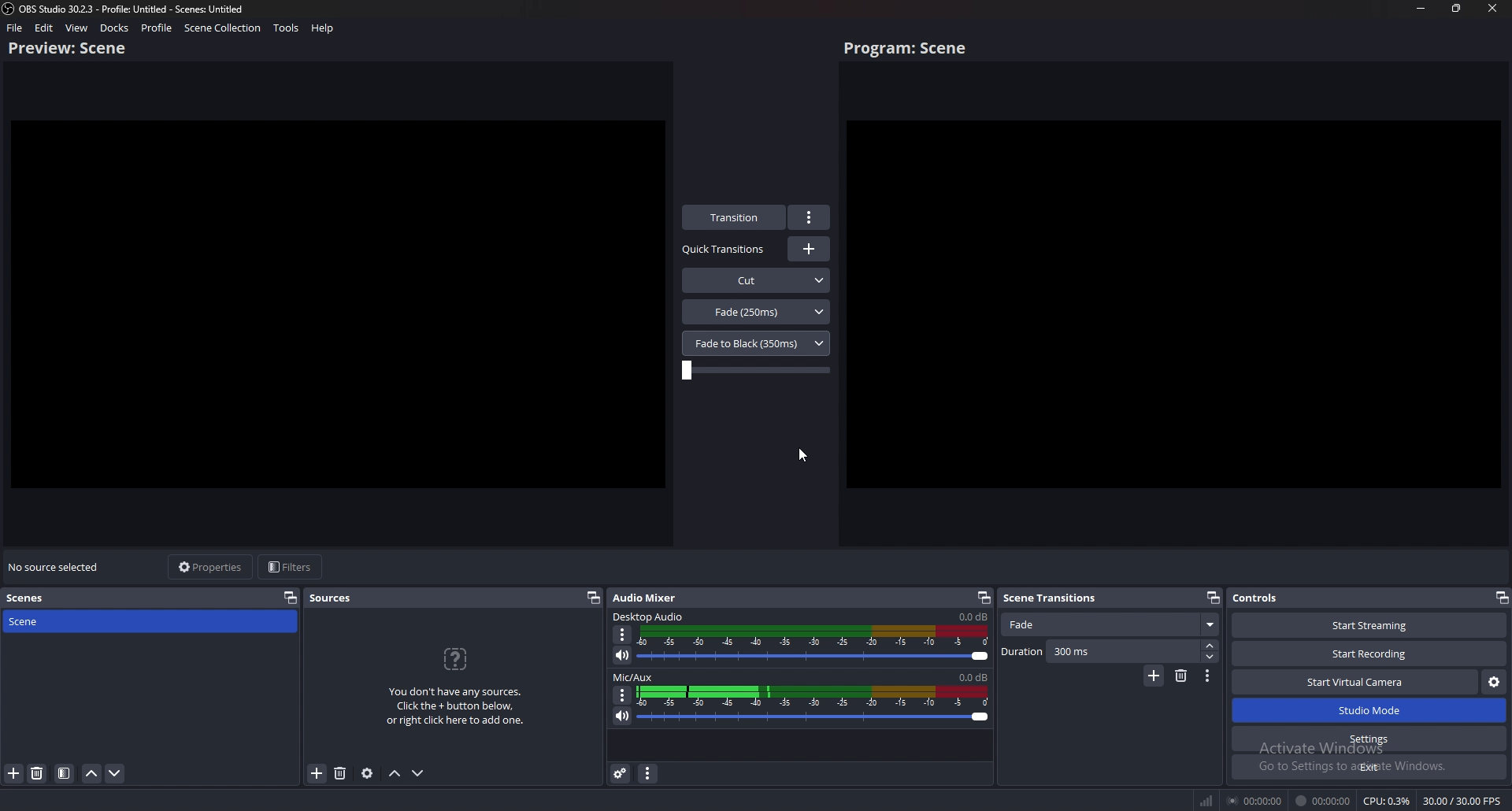 This screenshot has height=811, width=1512. What do you see at coordinates (593, 598) in the screenshot?
I see `pop out` at bounding box center [593, 598].